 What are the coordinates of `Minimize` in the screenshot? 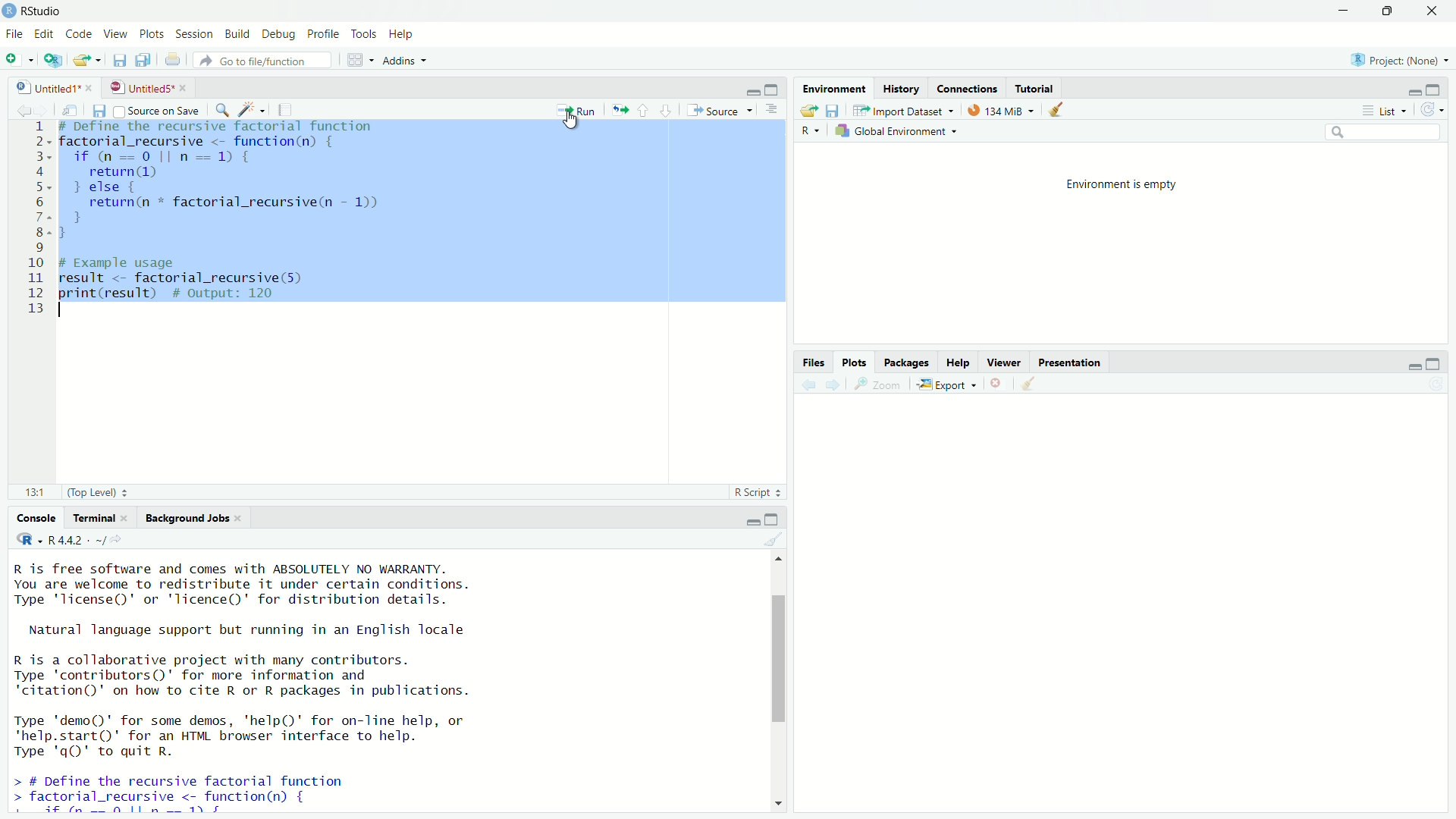 It's located at (1341, 11).